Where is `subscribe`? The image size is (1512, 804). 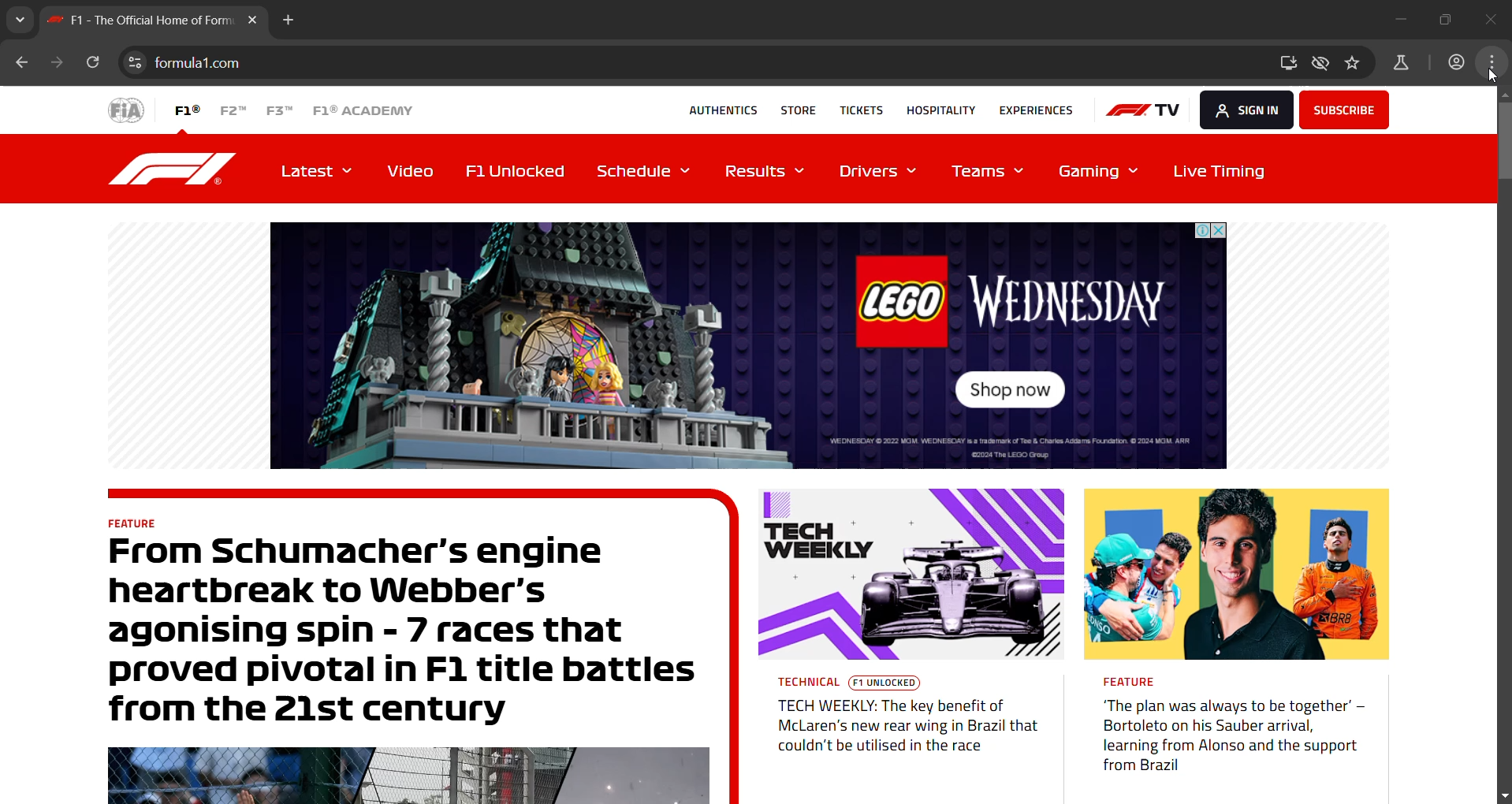
subscribe is located at coordinates (1343, 110).